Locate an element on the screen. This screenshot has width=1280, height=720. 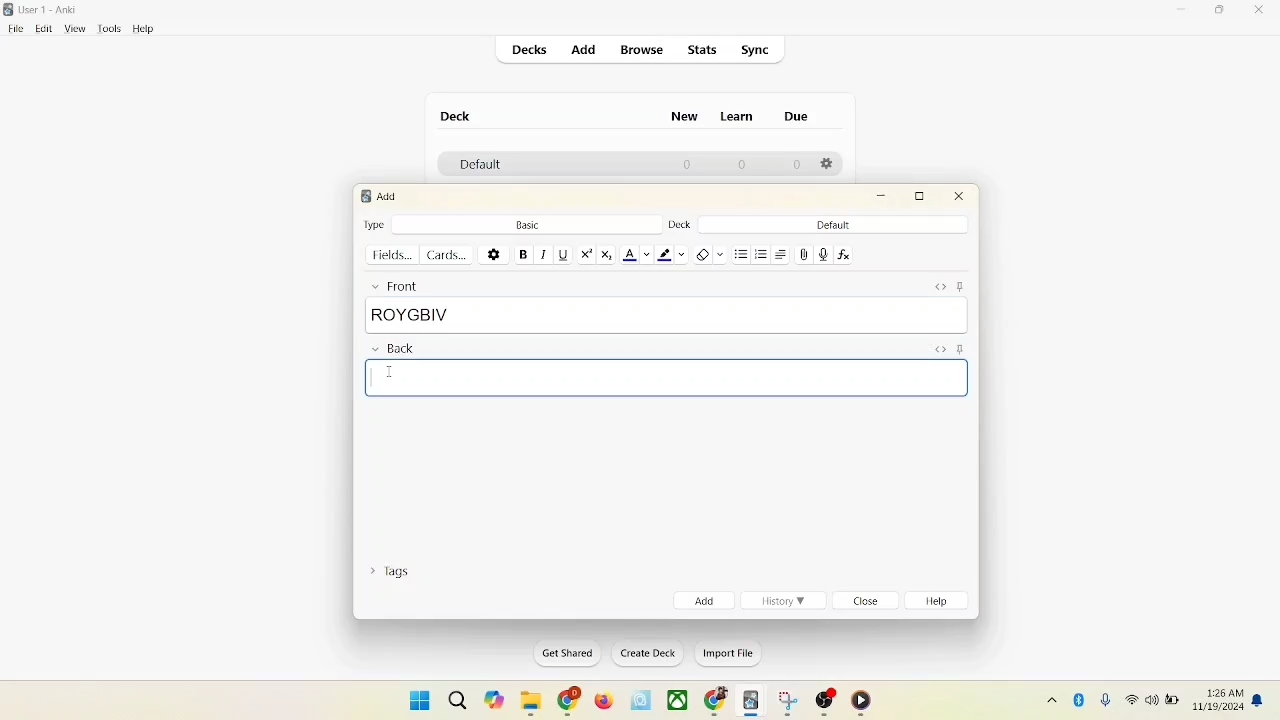
time is located at coordinates (1221, 690).